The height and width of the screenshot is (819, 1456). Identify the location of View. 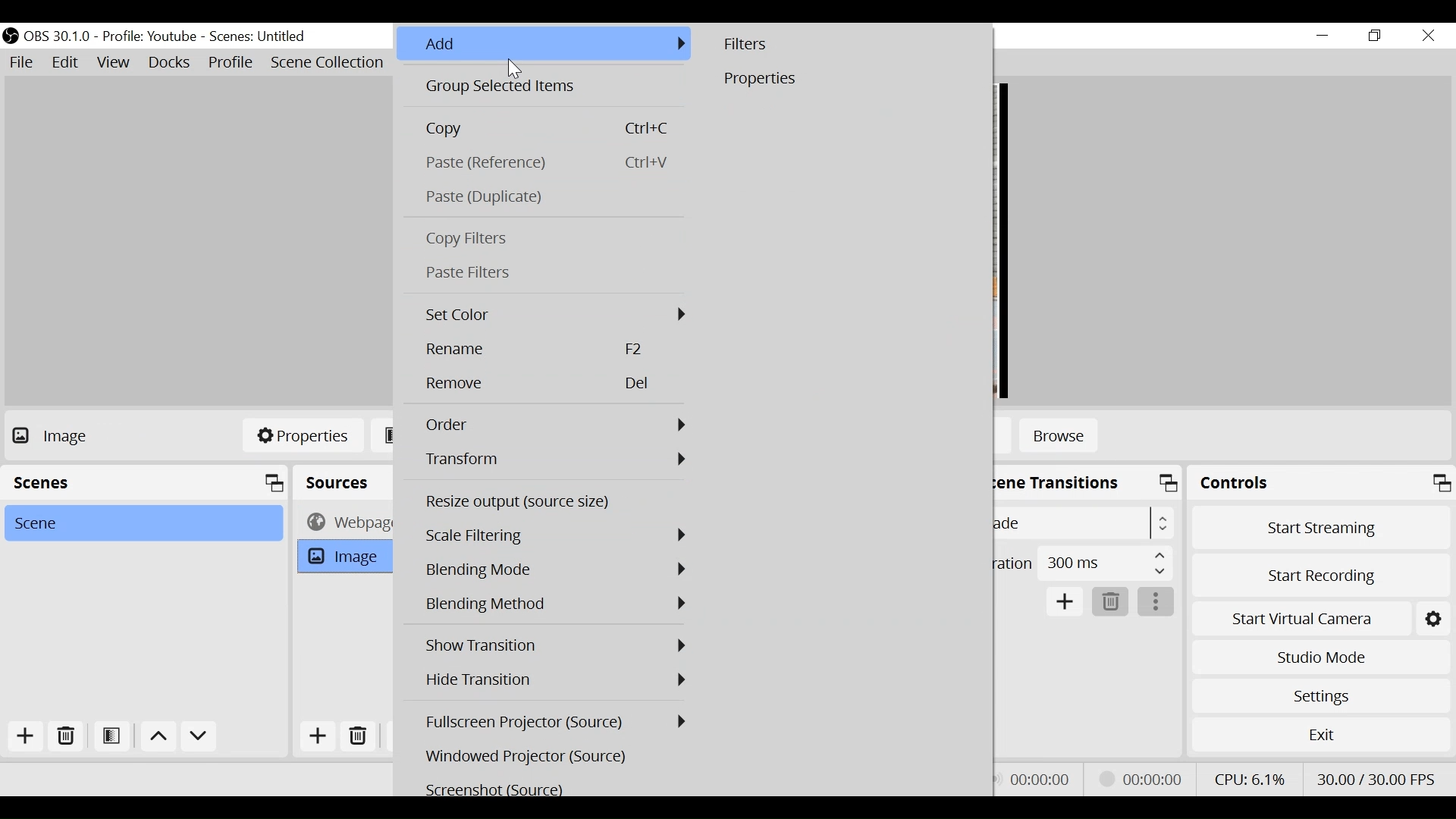
(113, 63).